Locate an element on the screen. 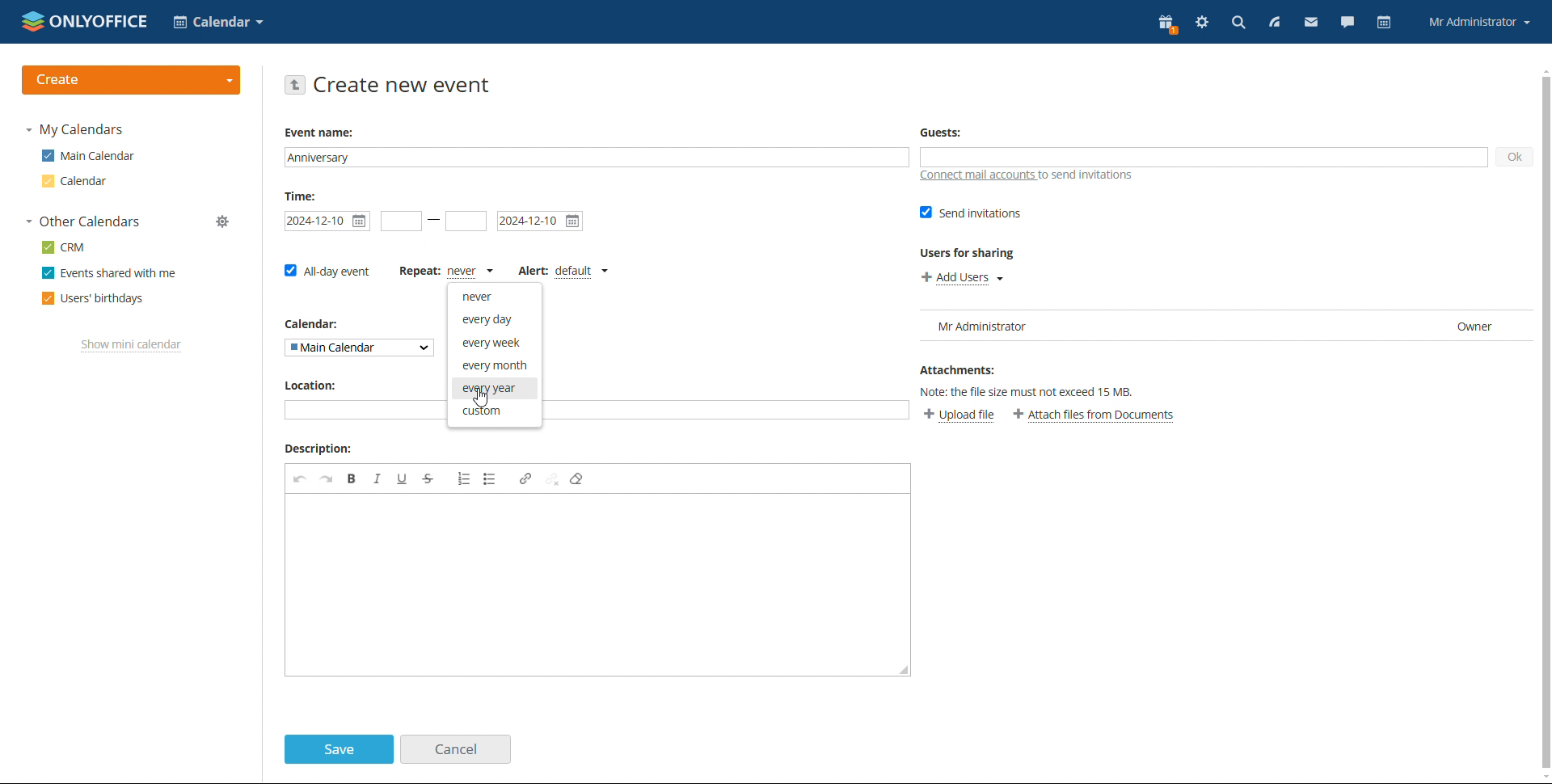  crm is located at coordinates (64, 247).